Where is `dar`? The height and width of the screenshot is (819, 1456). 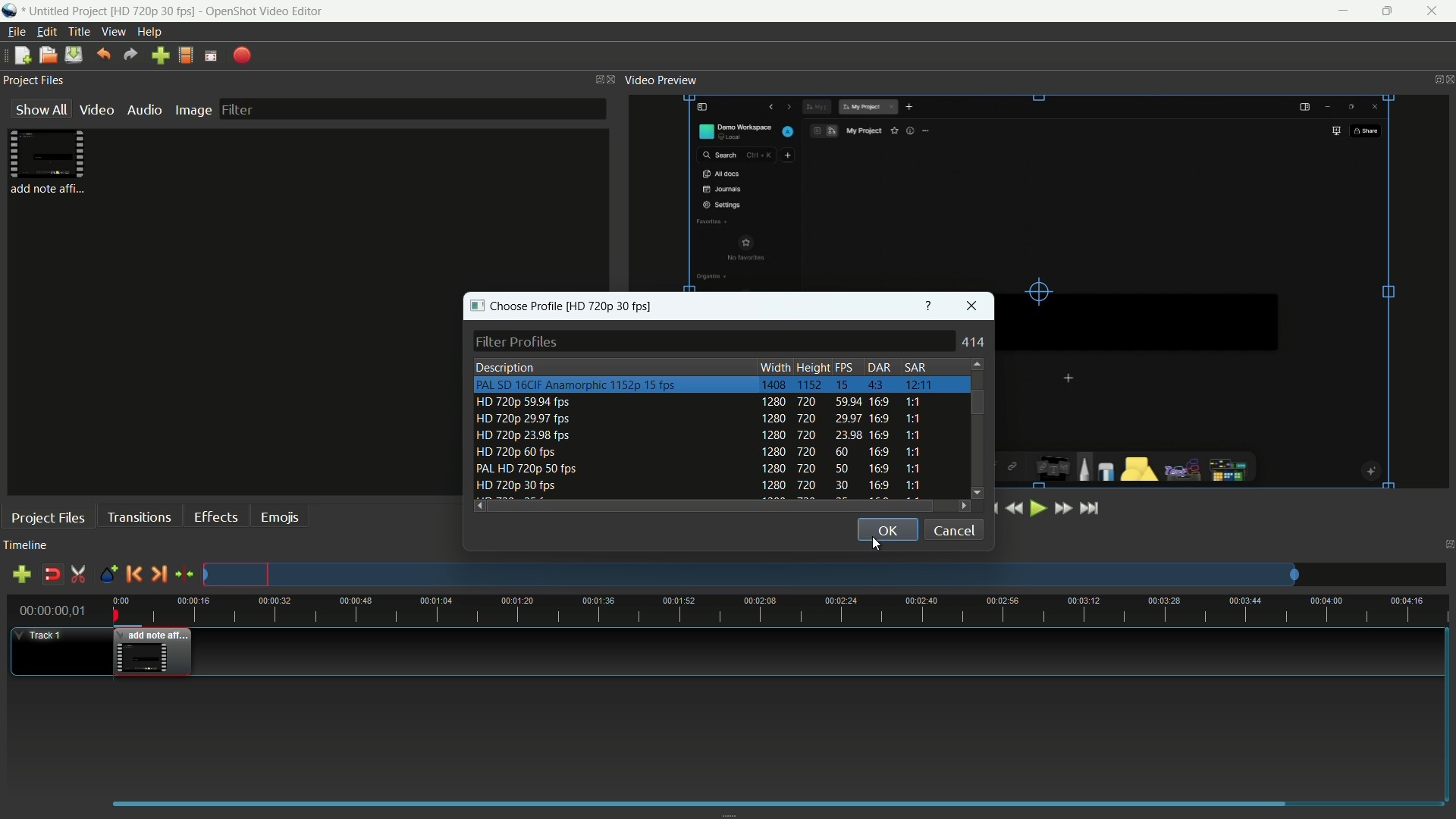 dar is located at coordinates (877, 367).